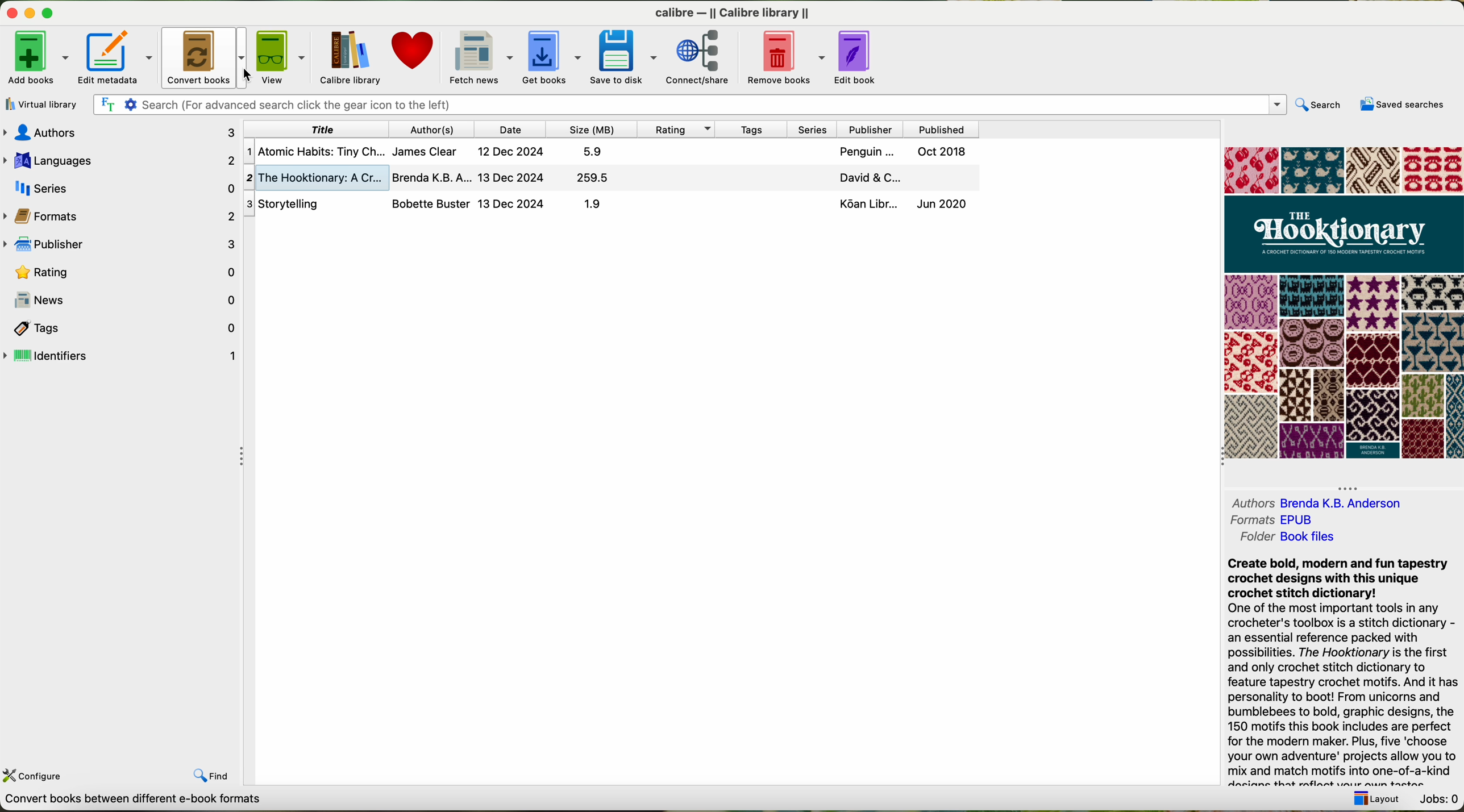 The image size is (1464, 812). I want to click on edit book, so click(858, 57).